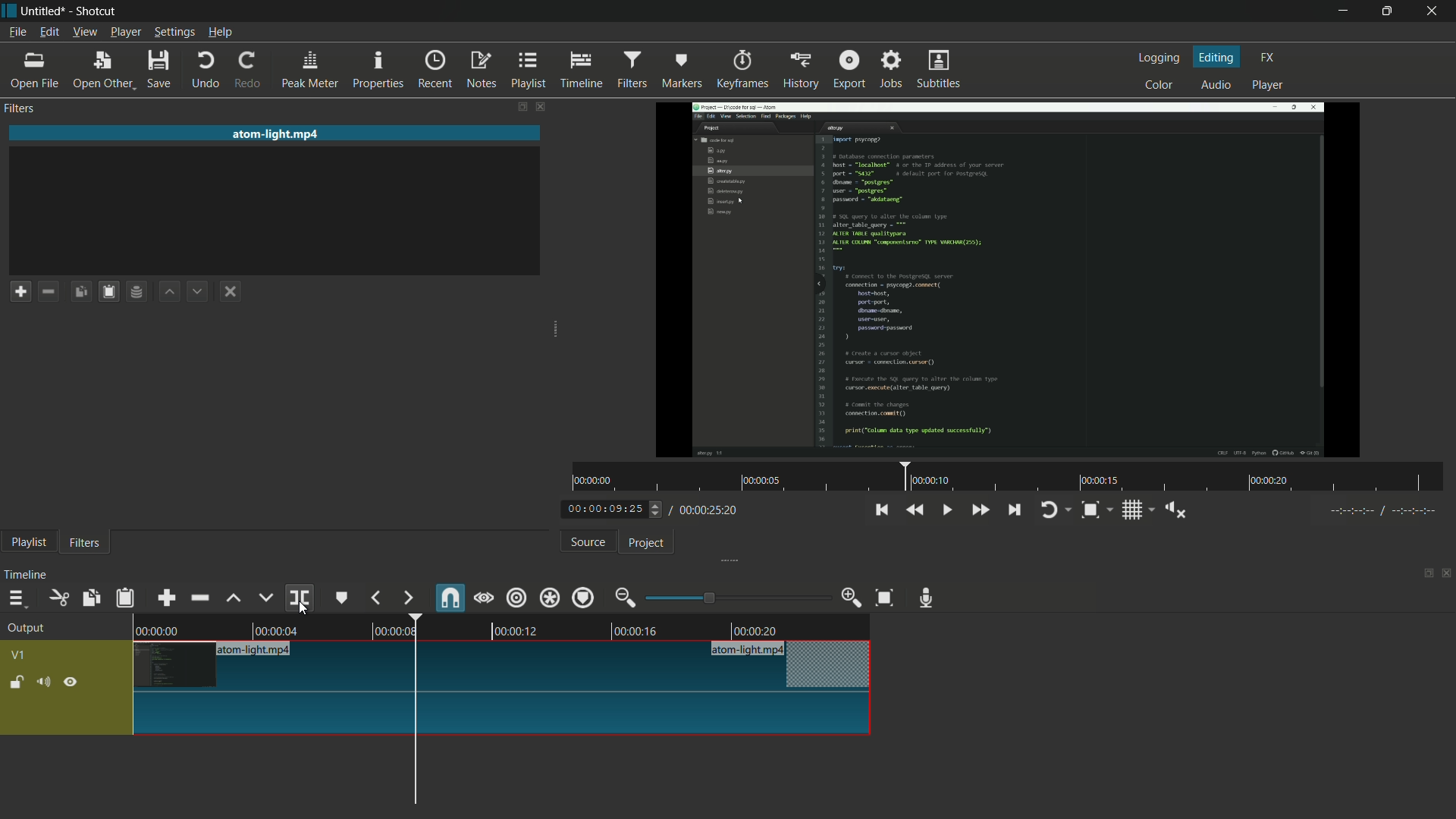 Image resolution: width=1456 pixels, height=819 pixels. What do you see at coordinates (49, 33) in the screenshot?
I see `edit menu` at bounding box center [49, 33].